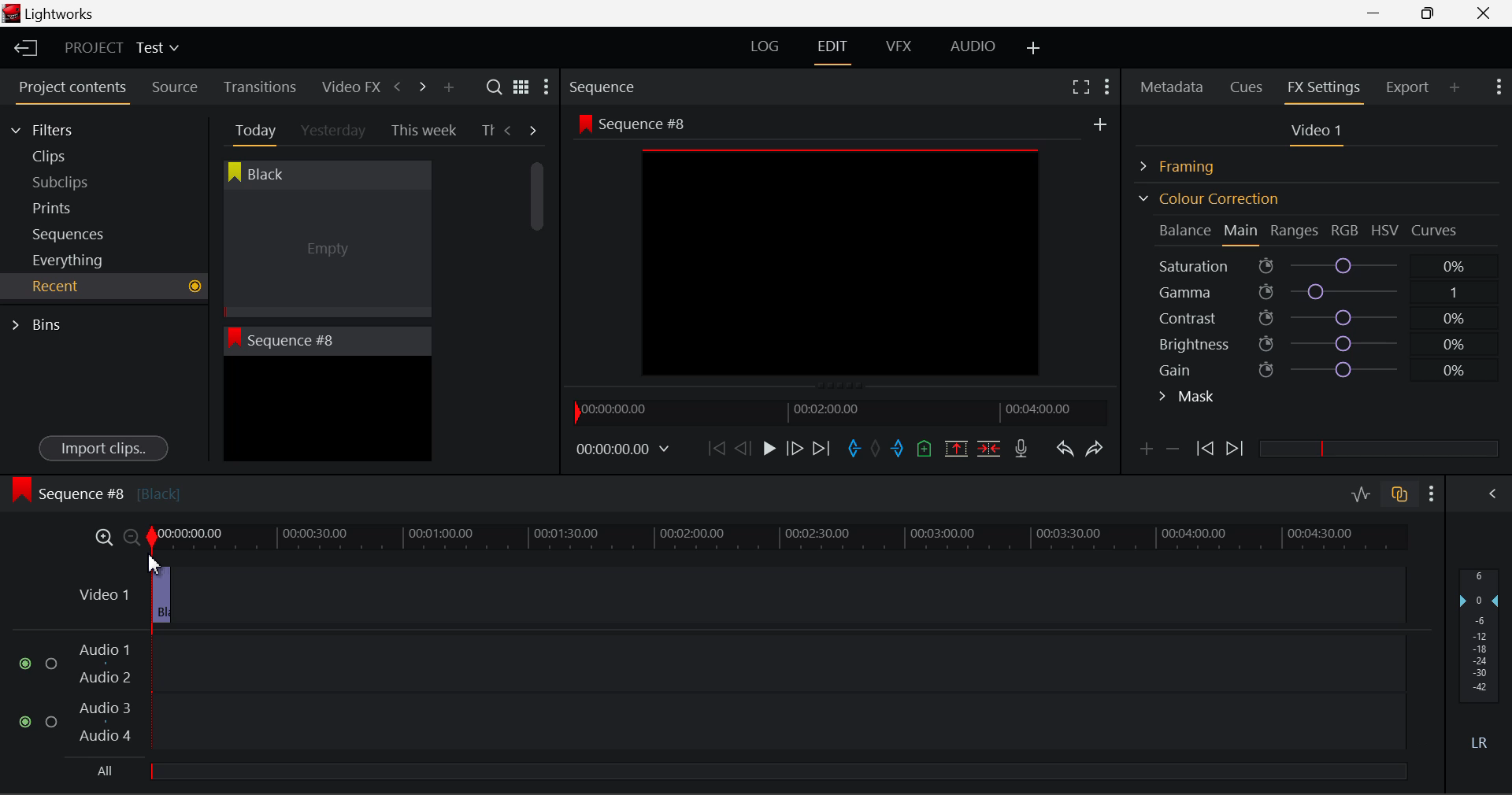 Image resolution: width=1512 pixels, height=795 pixels. I want to click on Transitions, so click(260, 87).